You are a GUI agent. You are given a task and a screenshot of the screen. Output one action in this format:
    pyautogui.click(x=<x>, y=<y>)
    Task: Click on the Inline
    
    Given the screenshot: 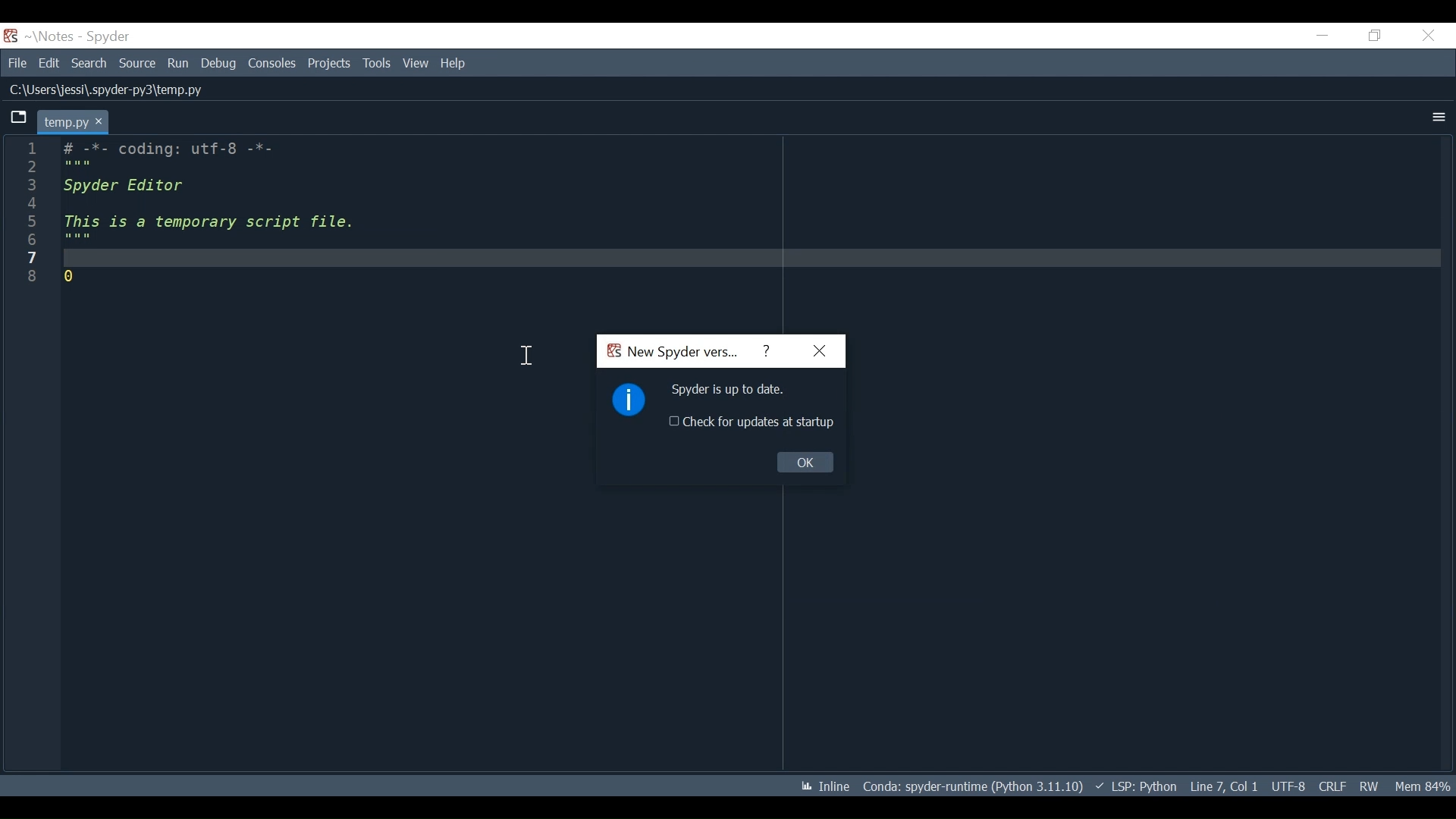 What is the action you would take?
    pyautogui.click(x=825, y=786)
    